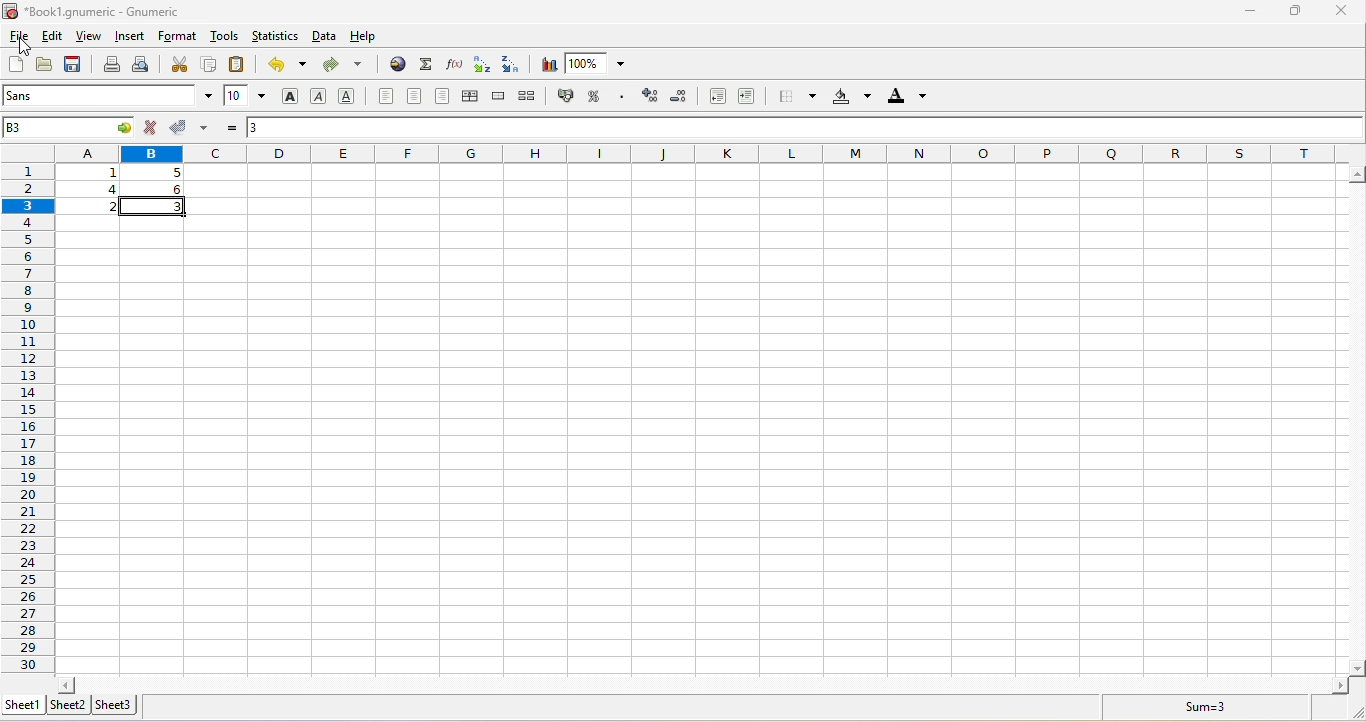 This screenshot has height=722, width=1366. What do you see at coordinates (325, 38) in the screenshot?
I see `data` at bounding box center [325, 38].